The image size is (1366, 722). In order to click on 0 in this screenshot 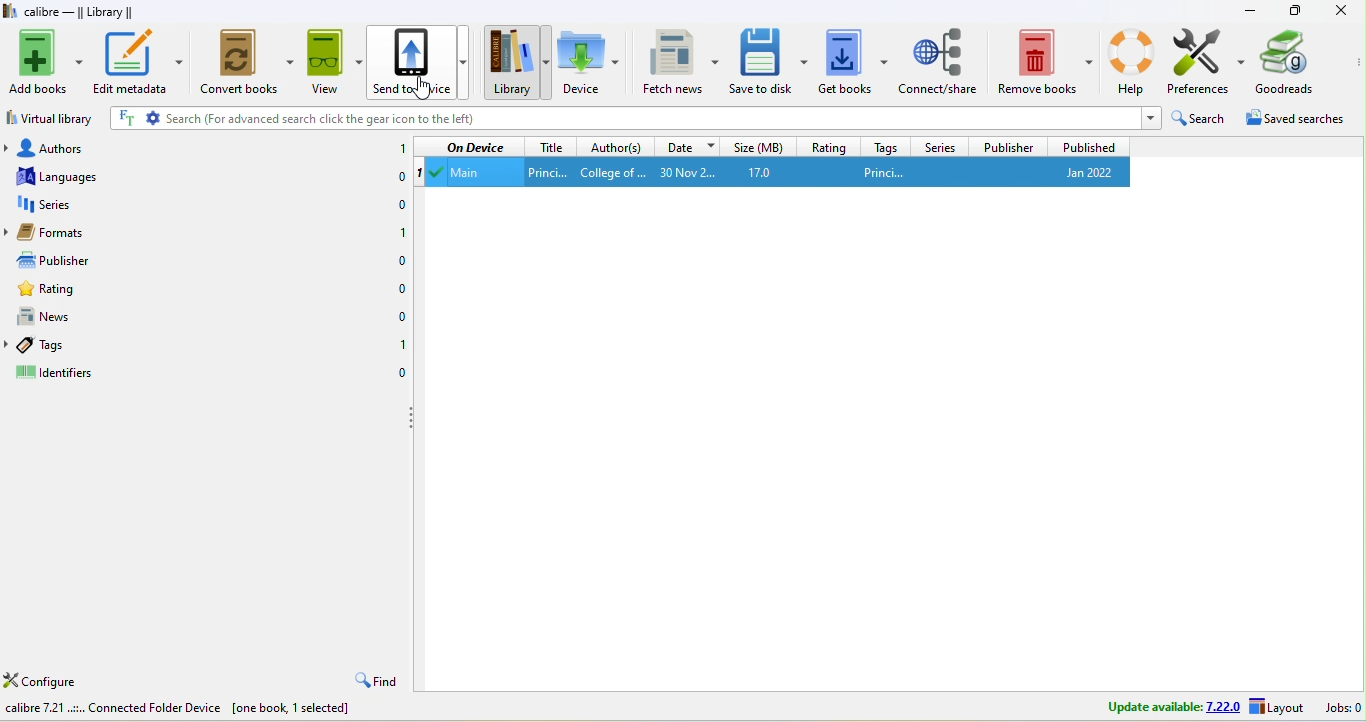, I will do `click(395, 289)`.